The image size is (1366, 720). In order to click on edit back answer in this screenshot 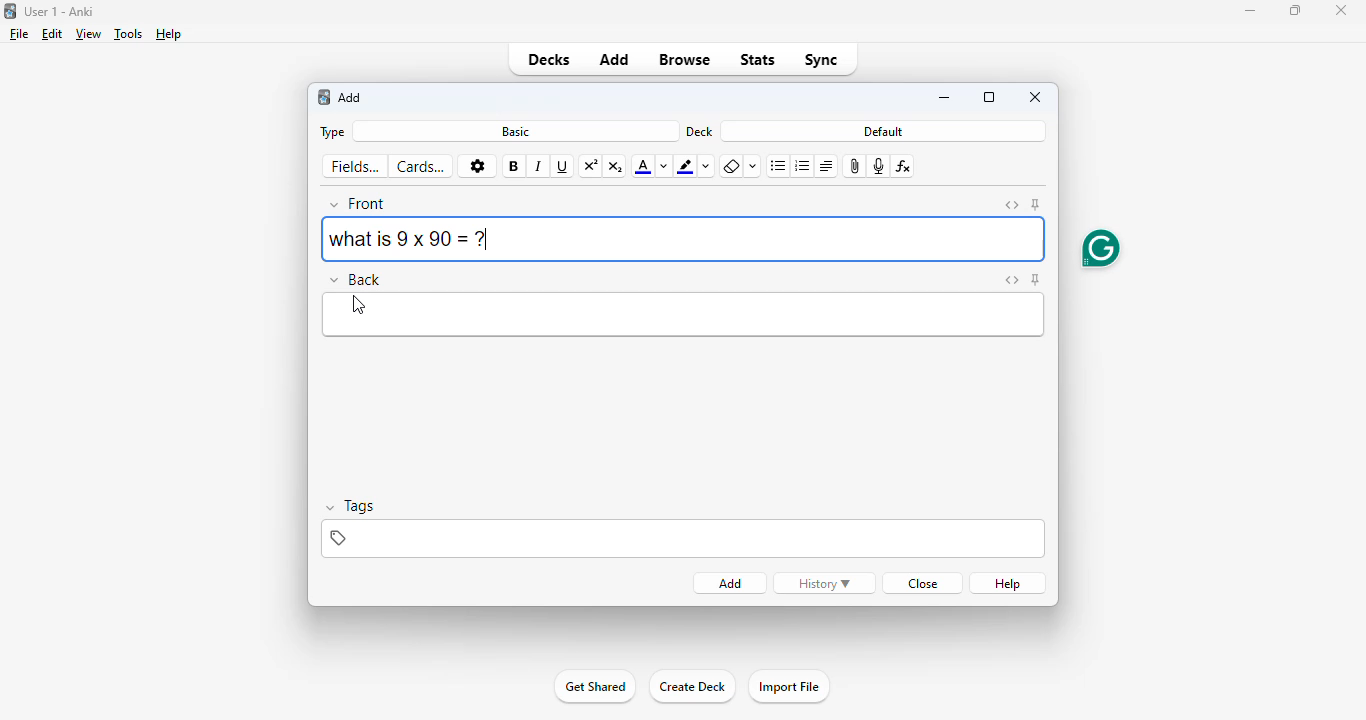, I will do `click(685, 315)`.